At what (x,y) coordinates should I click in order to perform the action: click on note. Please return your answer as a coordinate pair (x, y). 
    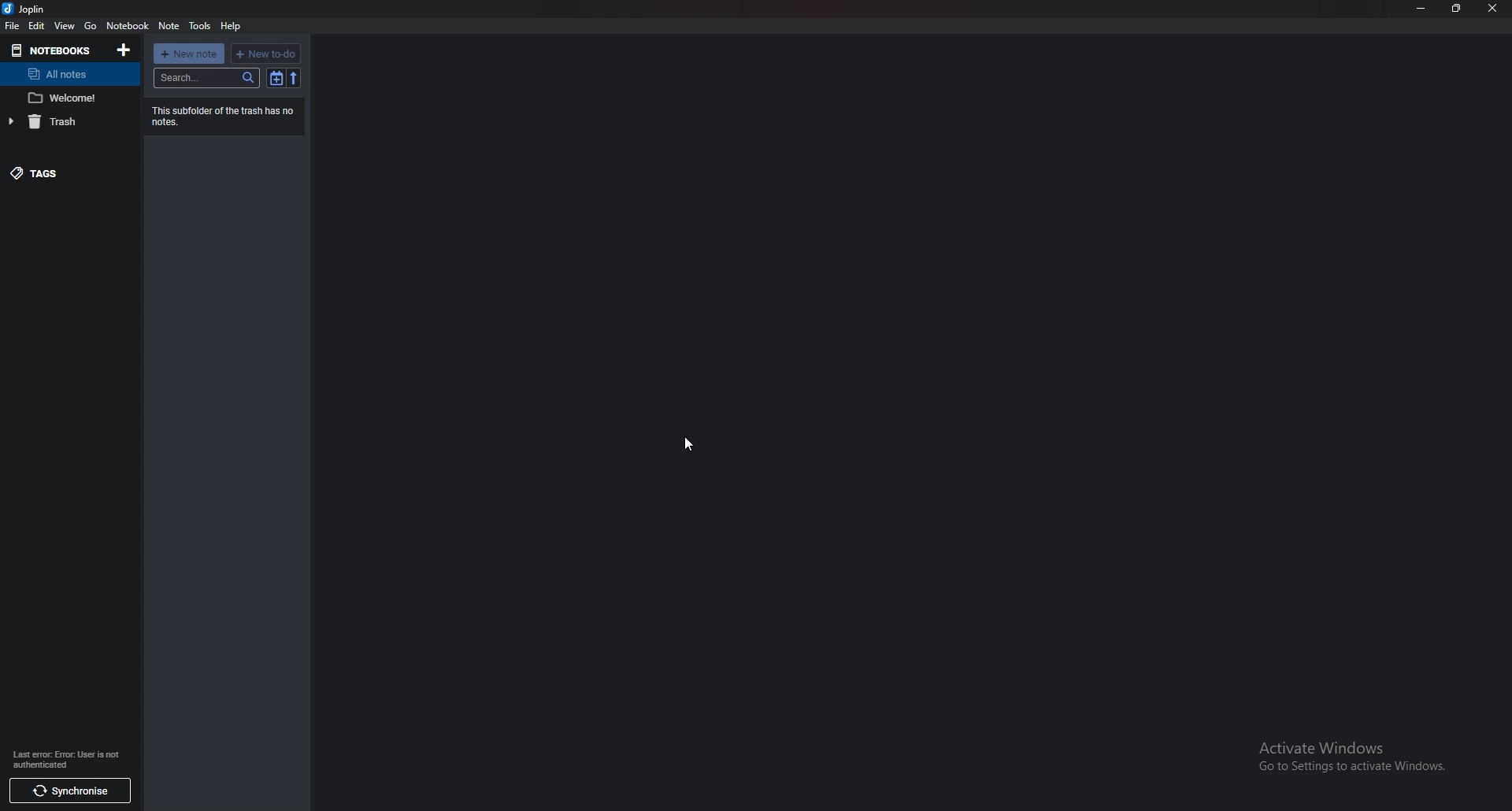
    Looking at the image, I should click on (68, 98).